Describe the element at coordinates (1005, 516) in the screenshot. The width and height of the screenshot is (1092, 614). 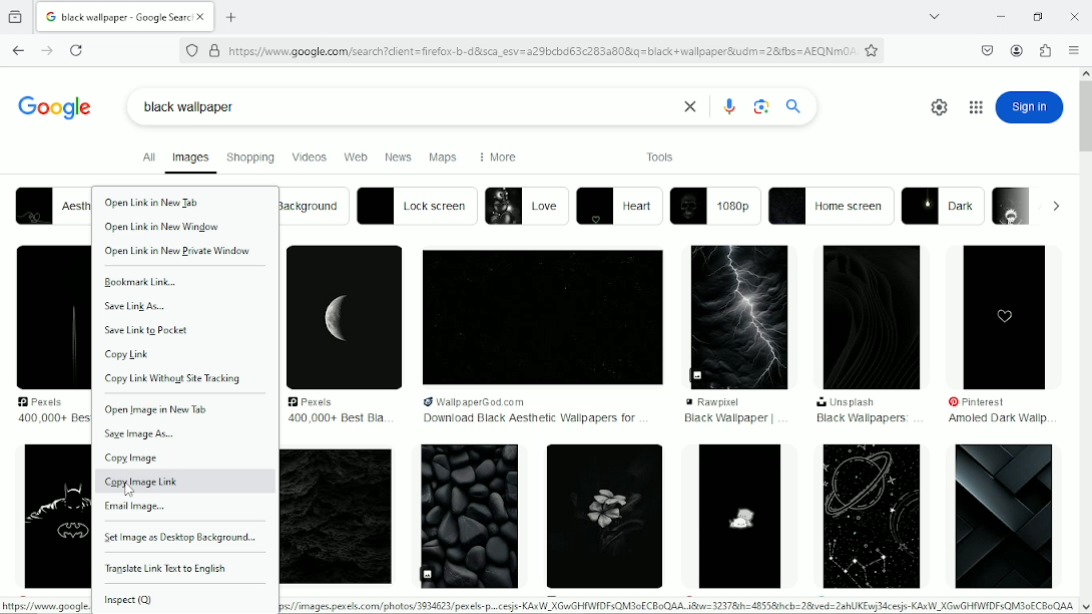
I see `black wallpaper image` at that location.